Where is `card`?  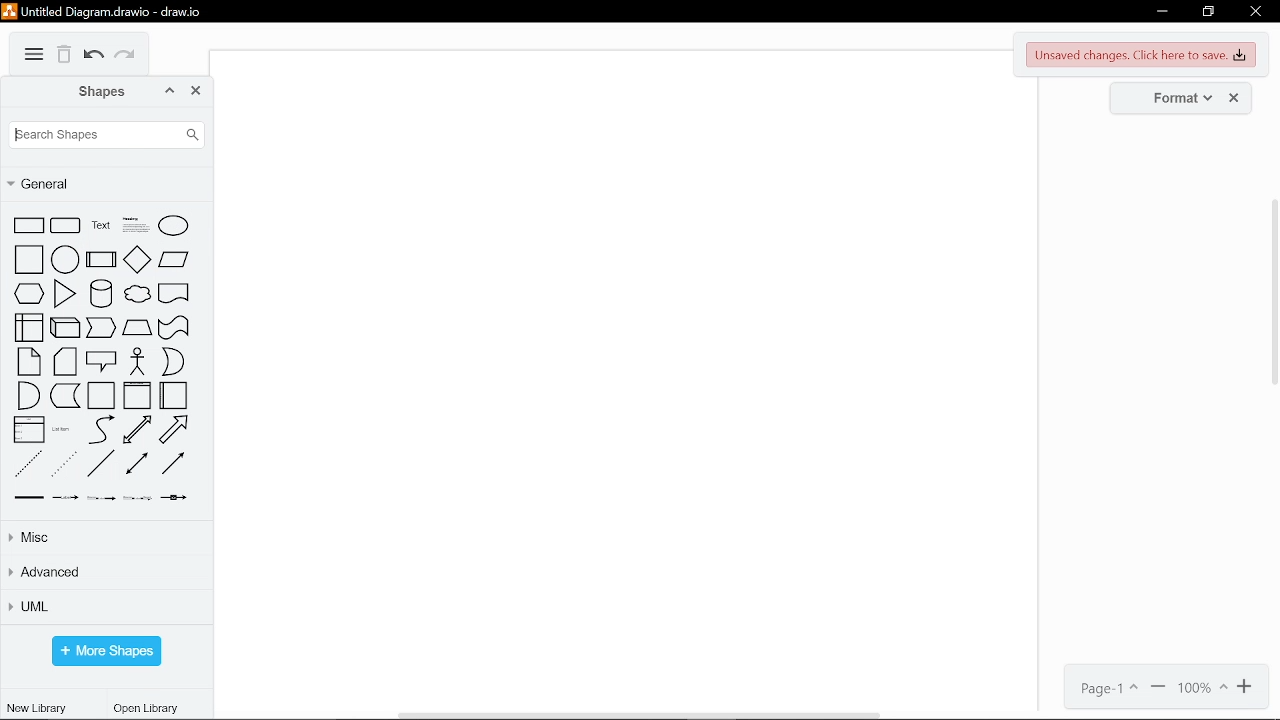
card is located at coordinates (66, 363).